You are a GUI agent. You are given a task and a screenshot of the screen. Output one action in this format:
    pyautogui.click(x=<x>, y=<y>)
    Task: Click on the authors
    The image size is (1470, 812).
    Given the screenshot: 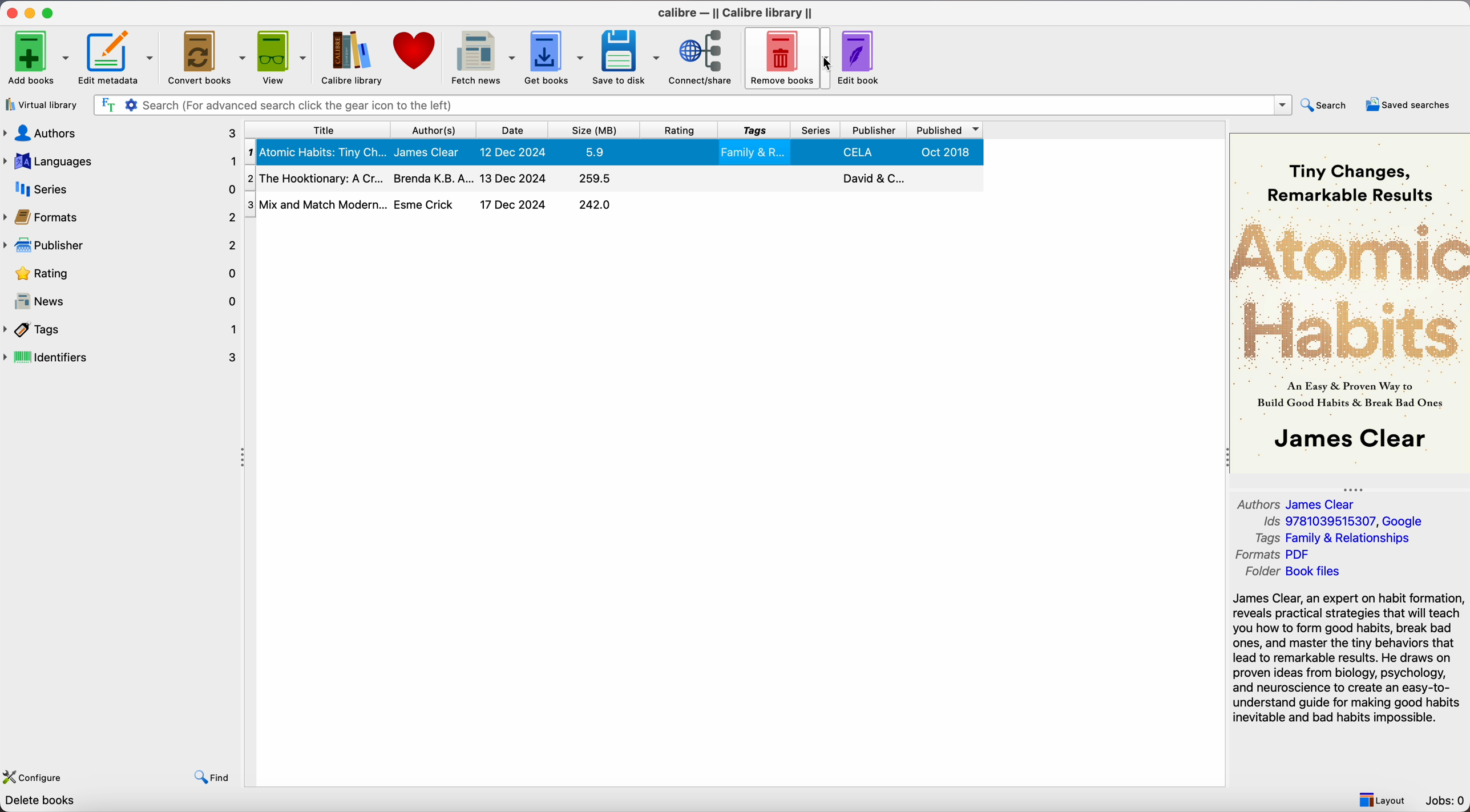 What is the action you would take?
    pyautogui.click(x=120, y=134)
    